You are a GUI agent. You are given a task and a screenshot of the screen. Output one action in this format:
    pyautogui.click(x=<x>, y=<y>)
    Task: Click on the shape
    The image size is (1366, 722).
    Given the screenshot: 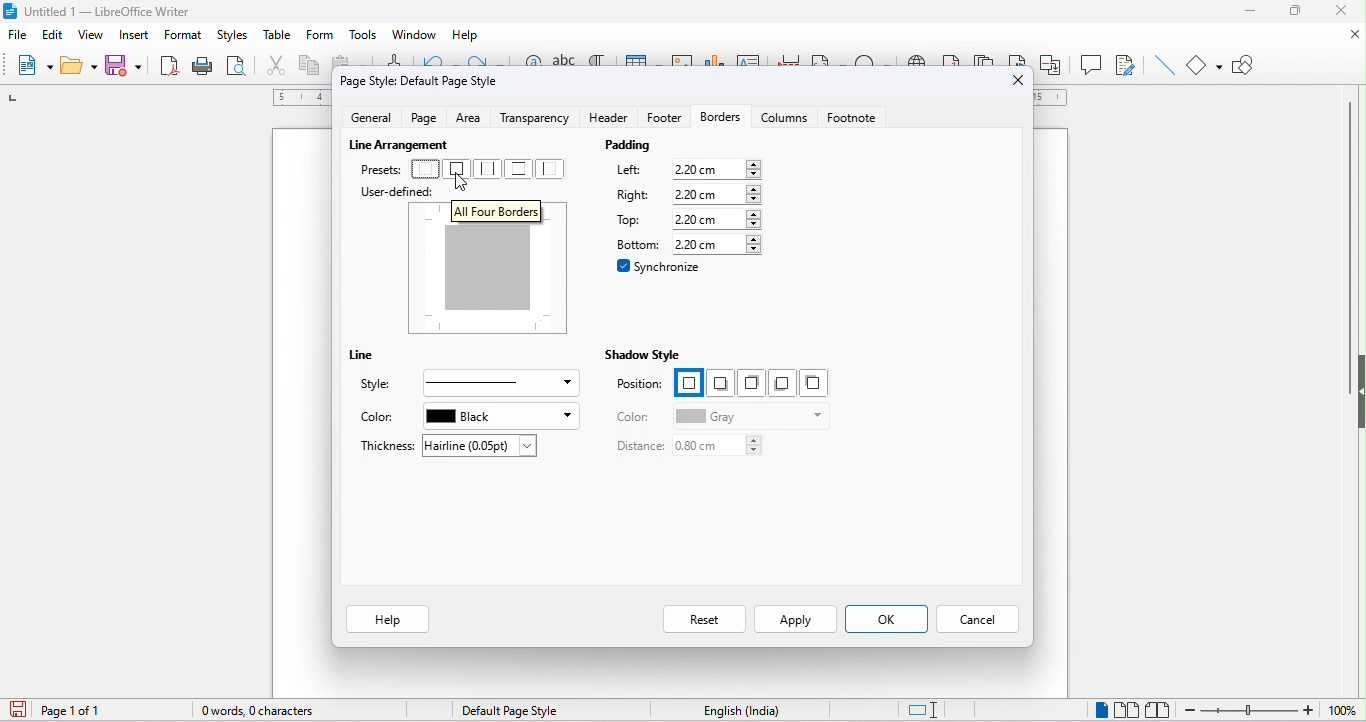 What is the action you would take?
    pyautogui.click(x=1204, y=65)
    